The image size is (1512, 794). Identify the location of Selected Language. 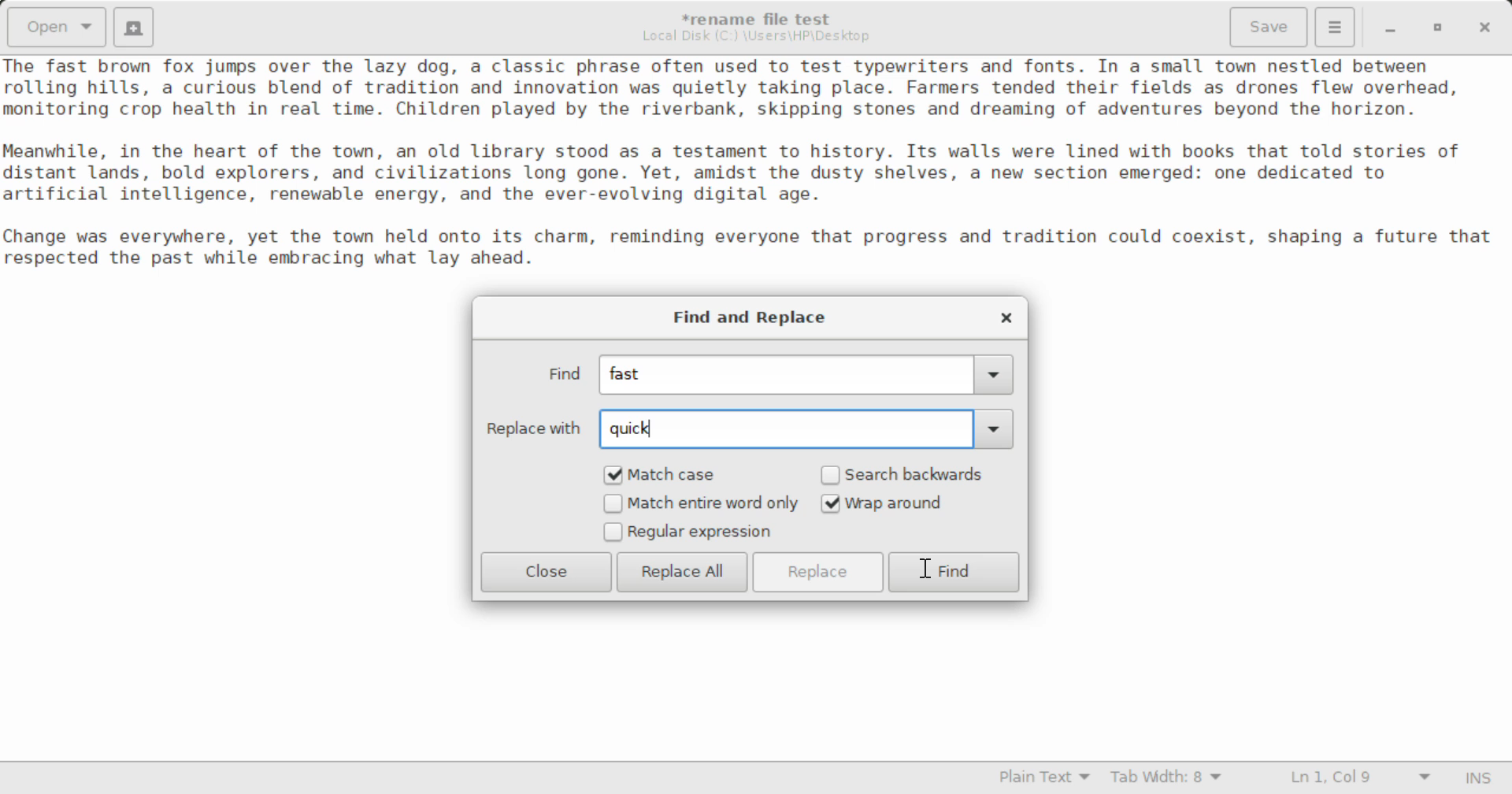
(1036, 779).